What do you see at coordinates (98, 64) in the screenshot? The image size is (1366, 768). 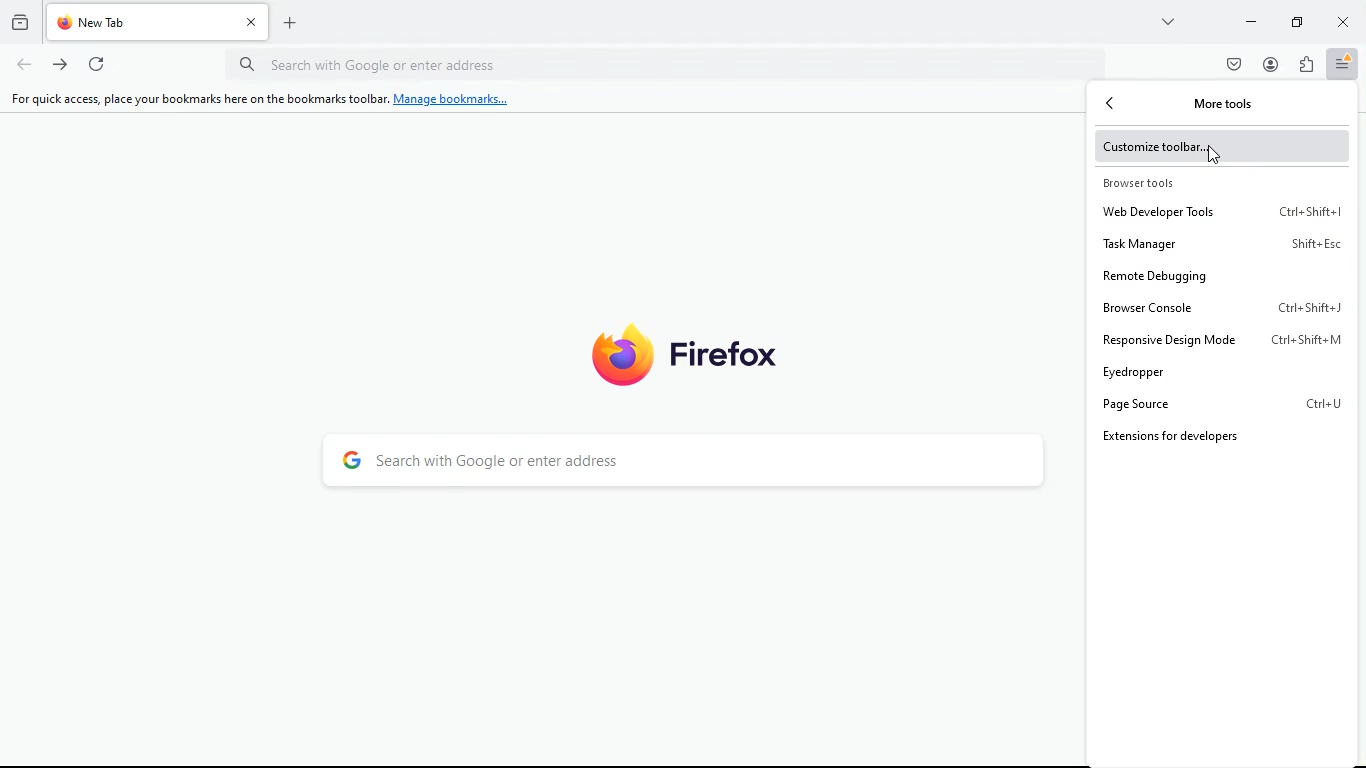 I see `refresh` at bounding box center [98, 64].